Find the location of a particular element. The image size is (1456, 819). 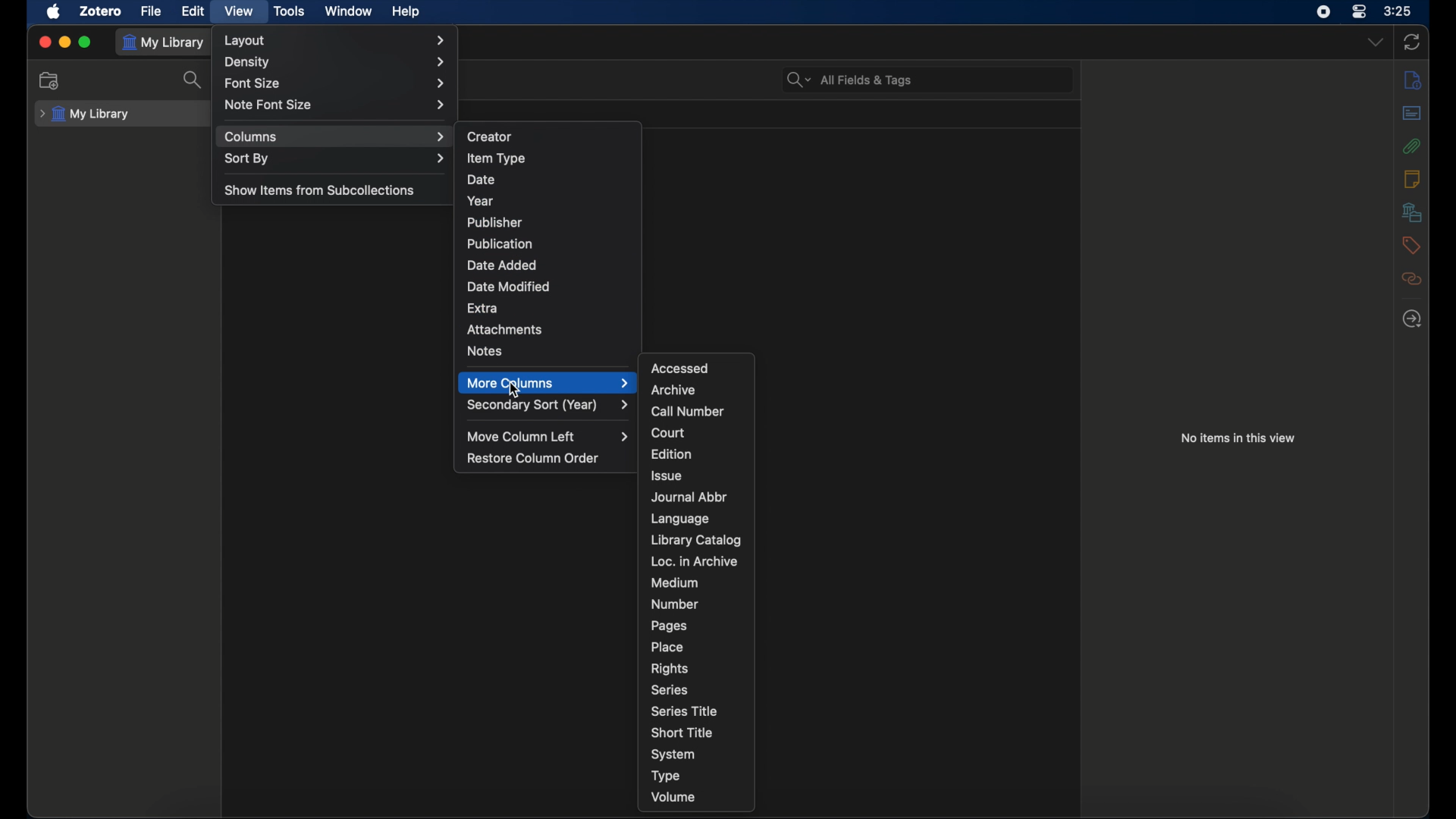

extra is located at coordinates (482, 307).